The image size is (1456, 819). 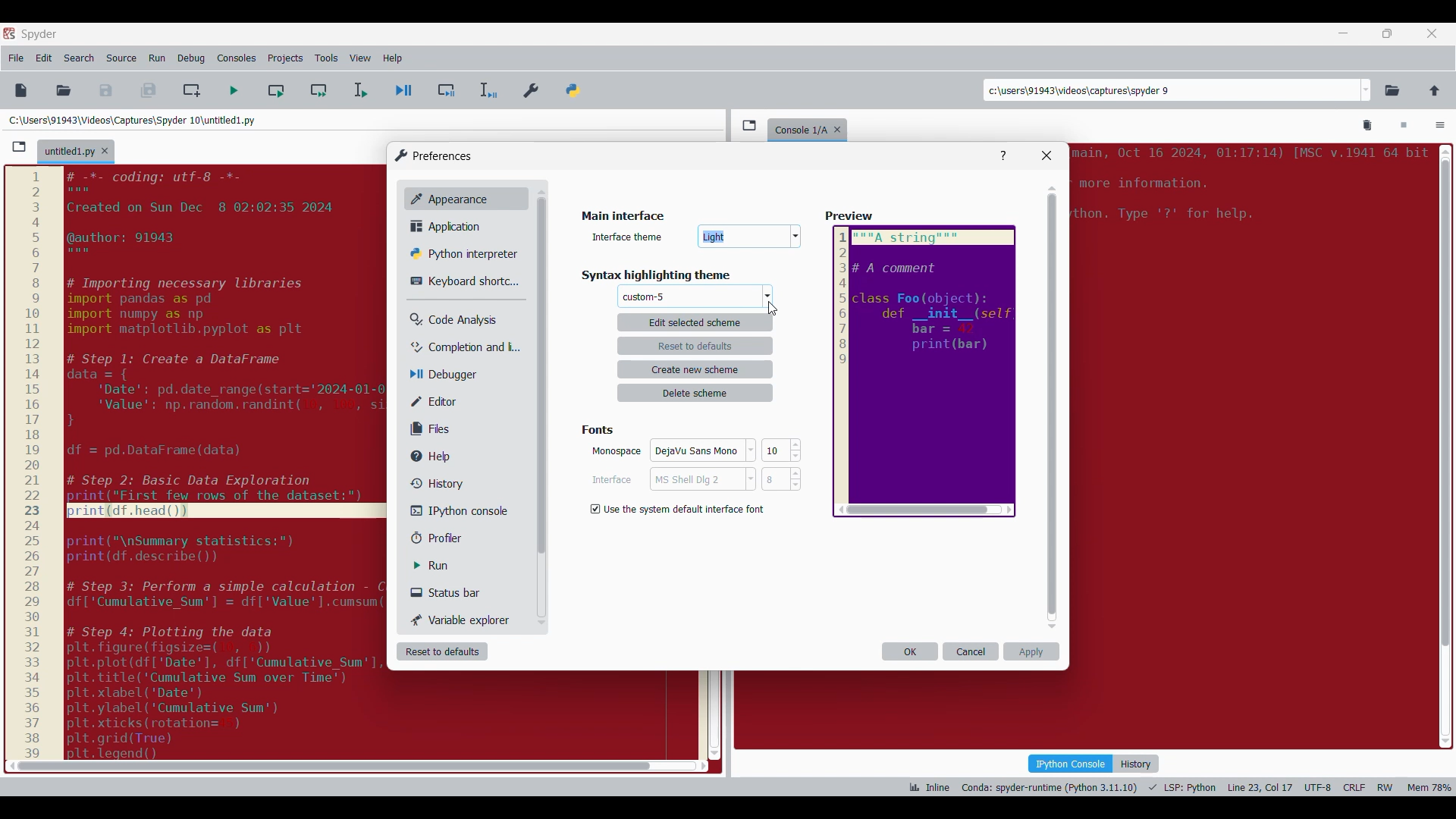 I want to click on IPython console, so click(x=454, y=510).